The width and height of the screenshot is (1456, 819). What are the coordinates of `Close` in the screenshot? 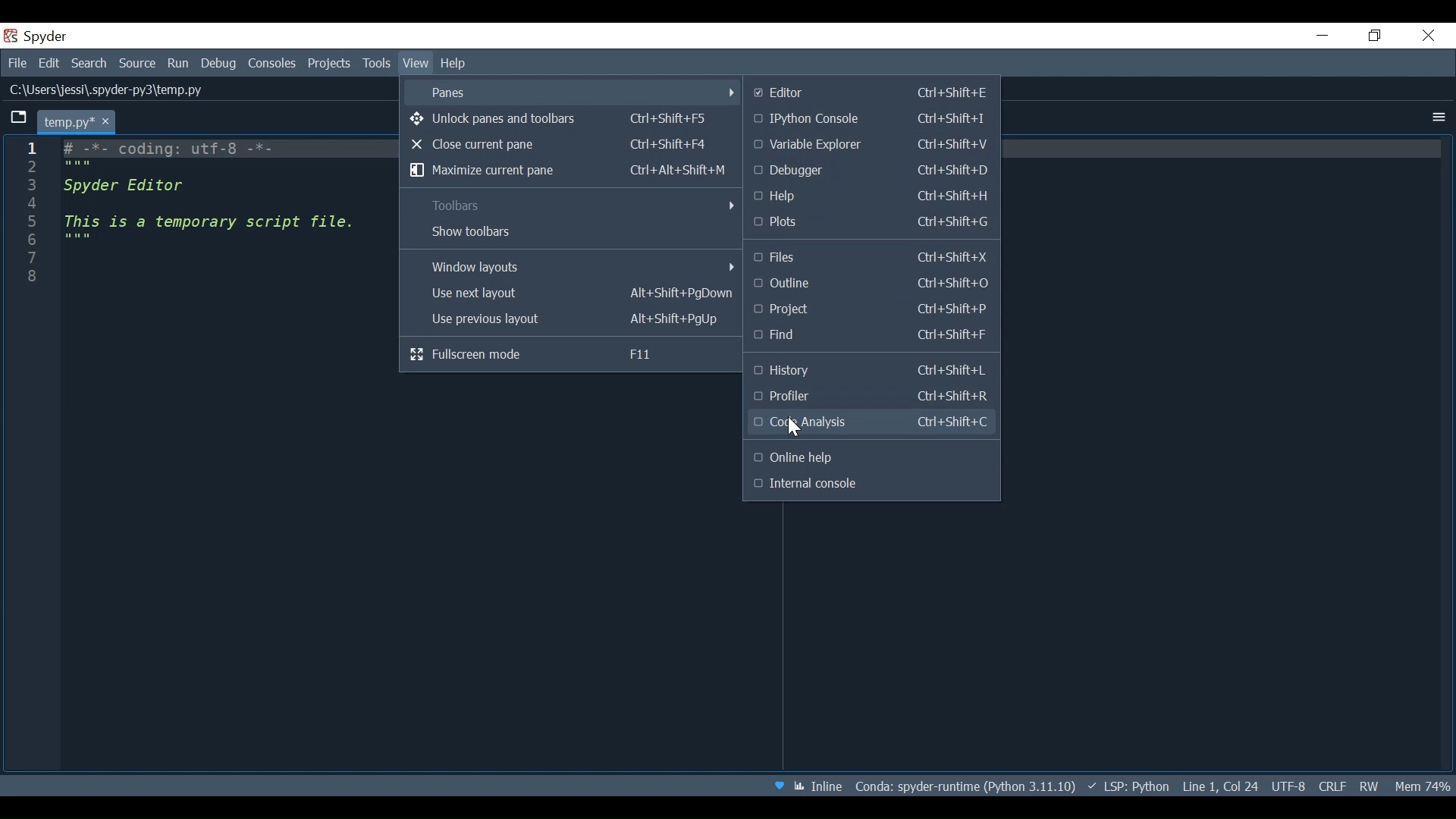 It's located at (1429, 36).